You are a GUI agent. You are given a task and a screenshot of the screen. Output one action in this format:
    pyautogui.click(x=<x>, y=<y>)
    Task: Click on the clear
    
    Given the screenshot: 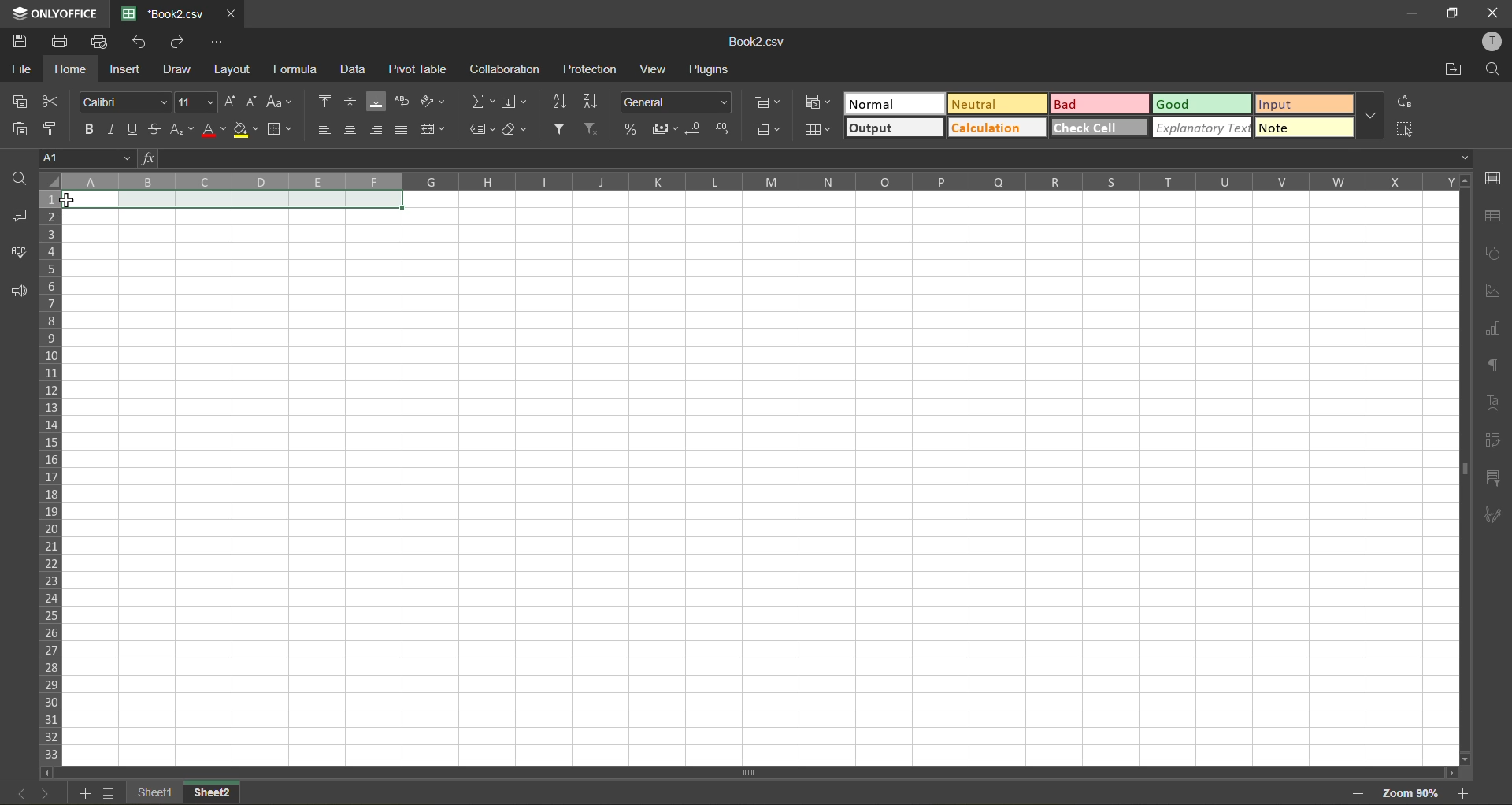 What is the action you would take?
    pyautogui.click(x=516, y=129)
    